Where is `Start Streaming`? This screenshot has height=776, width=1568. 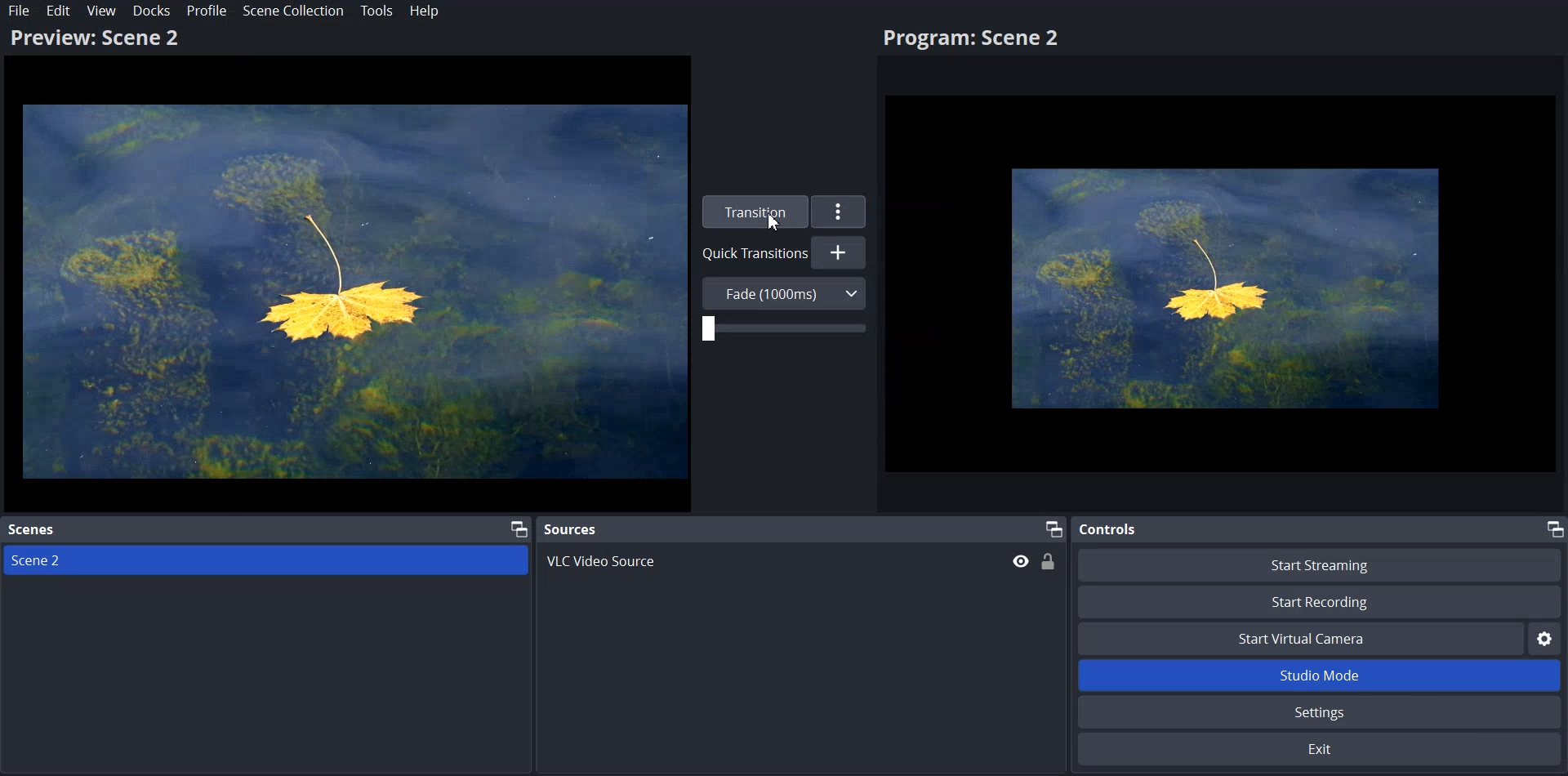 Start Streaming is located at coordinates (1319, 564).